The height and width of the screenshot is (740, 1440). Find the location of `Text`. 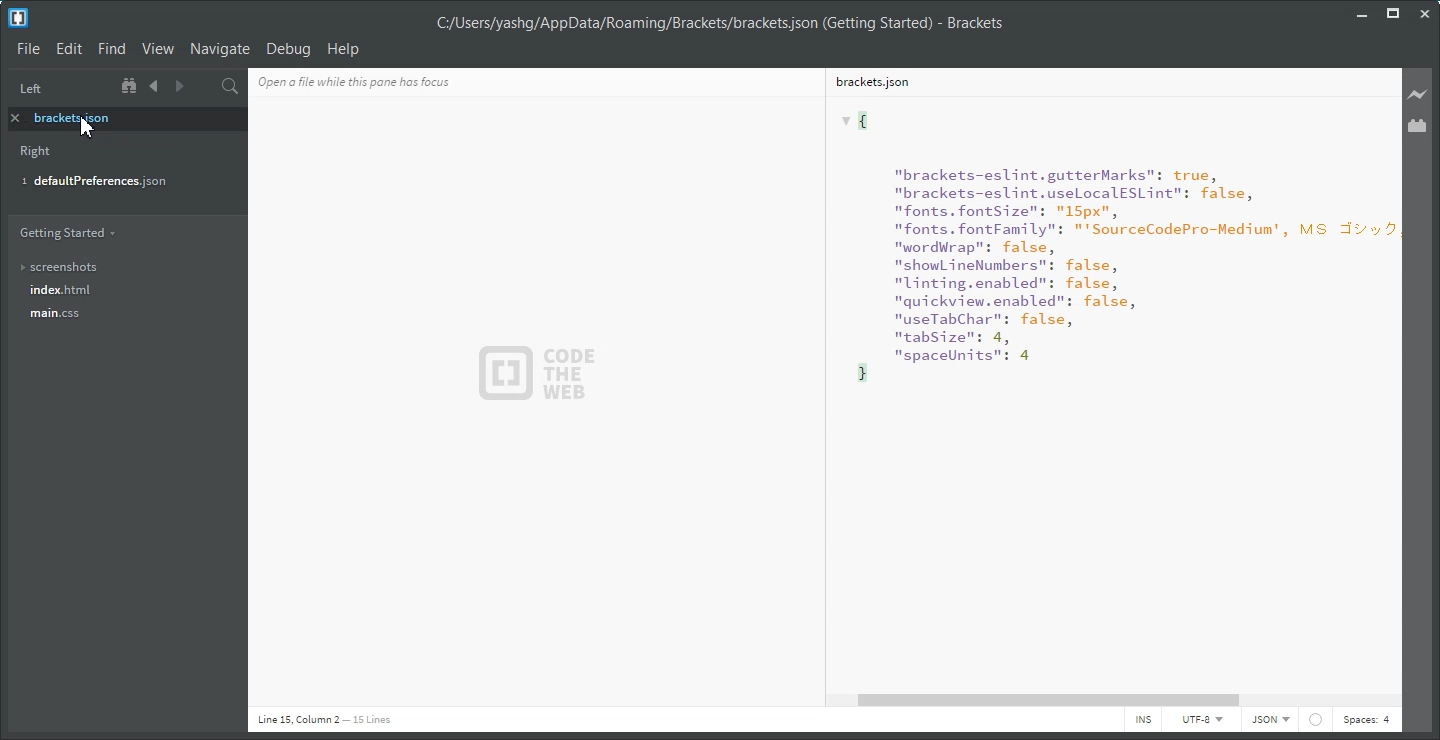

Text is located at coordinates (540, 374).